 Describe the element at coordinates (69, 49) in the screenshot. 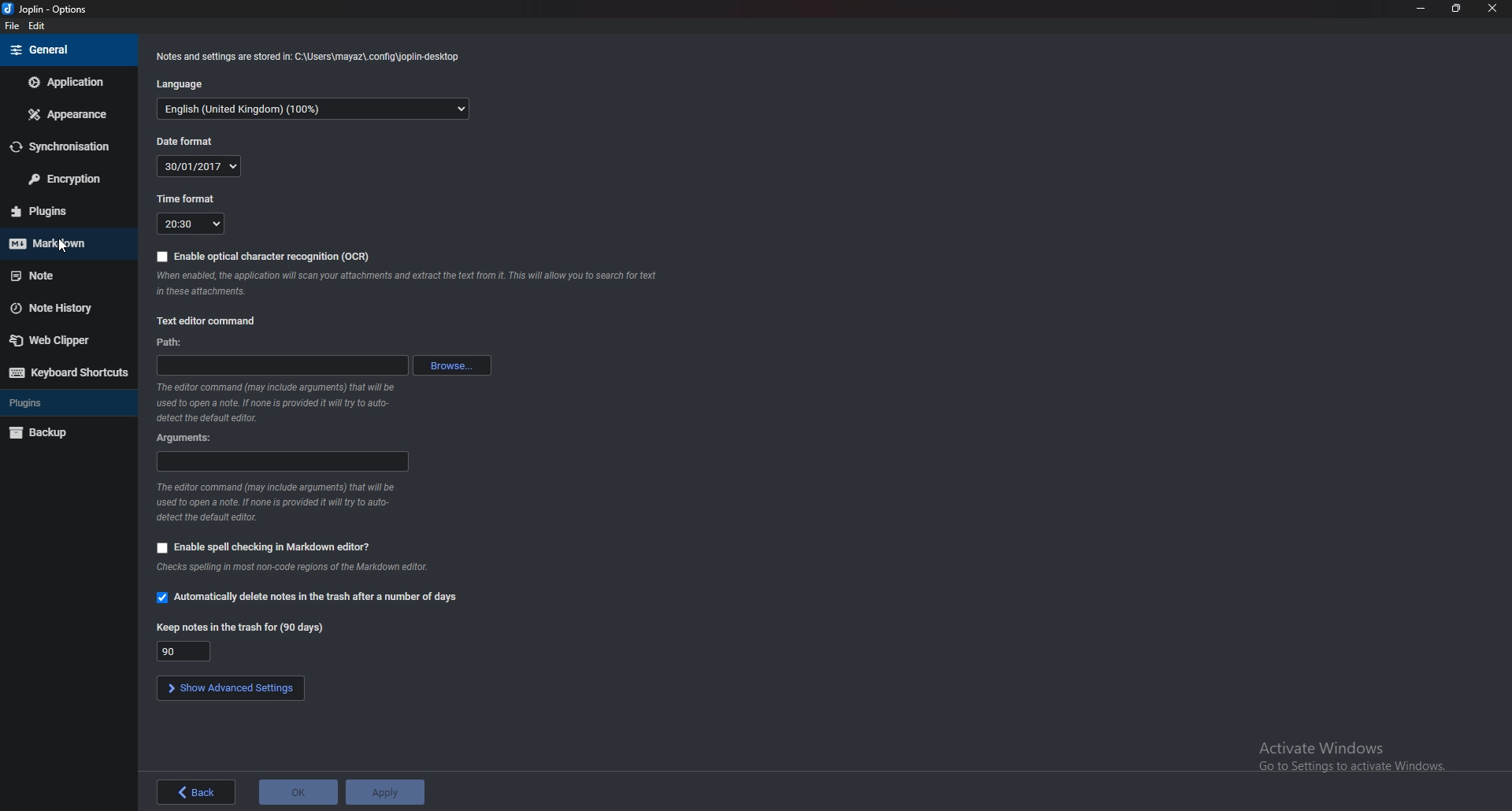

I see `general` at that location.